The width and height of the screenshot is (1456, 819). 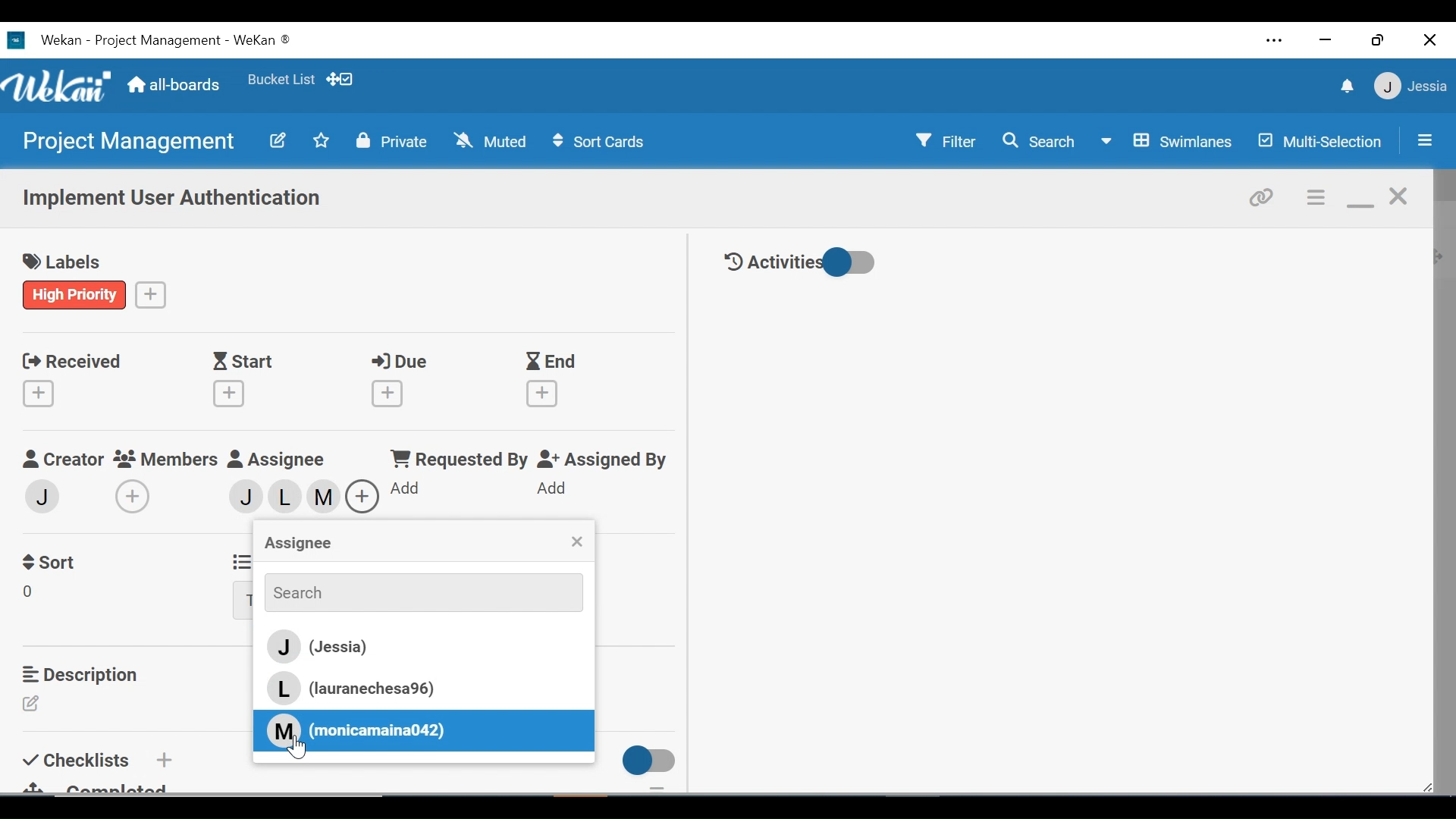 What do you see at coordinates (136, 496) in the screenshot?
I see `Add Member` at bounding box center [136, 496].